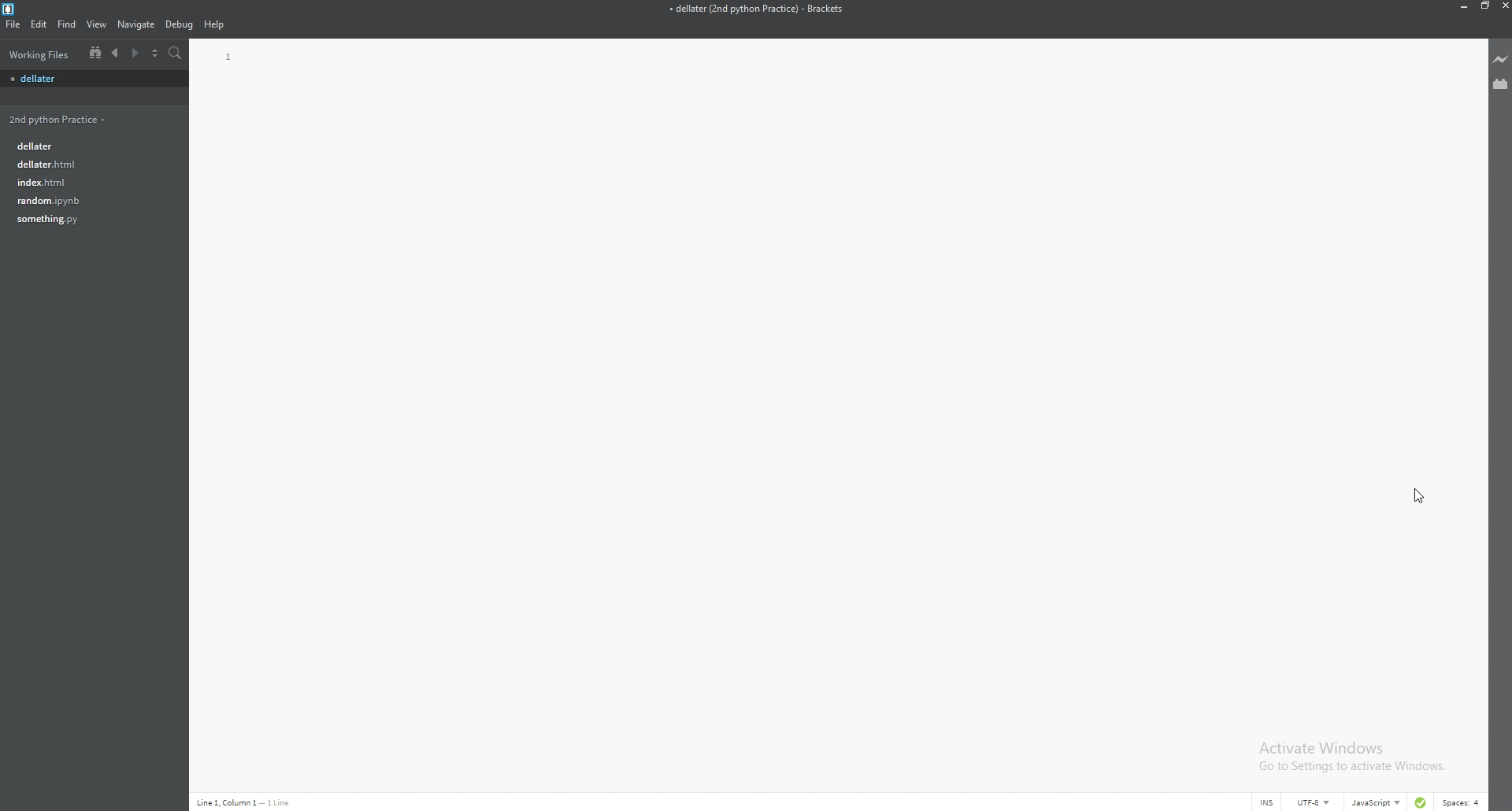  What do you see at coordinates (56, 118) in the screenshot?
I see `folder` at bounding box center [56, 118].